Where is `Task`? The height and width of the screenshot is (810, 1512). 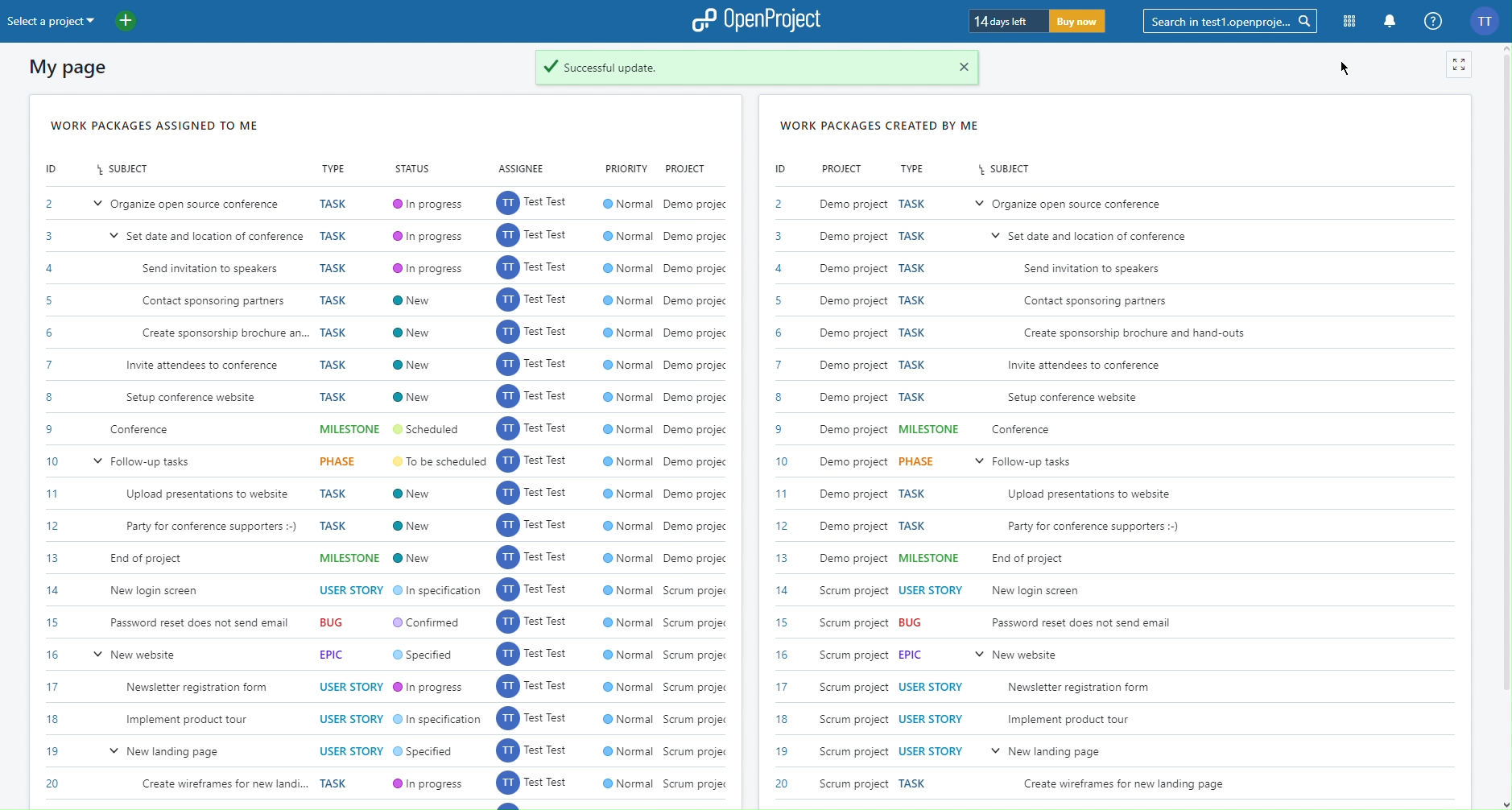
Task is located at coordinates (915, 782).